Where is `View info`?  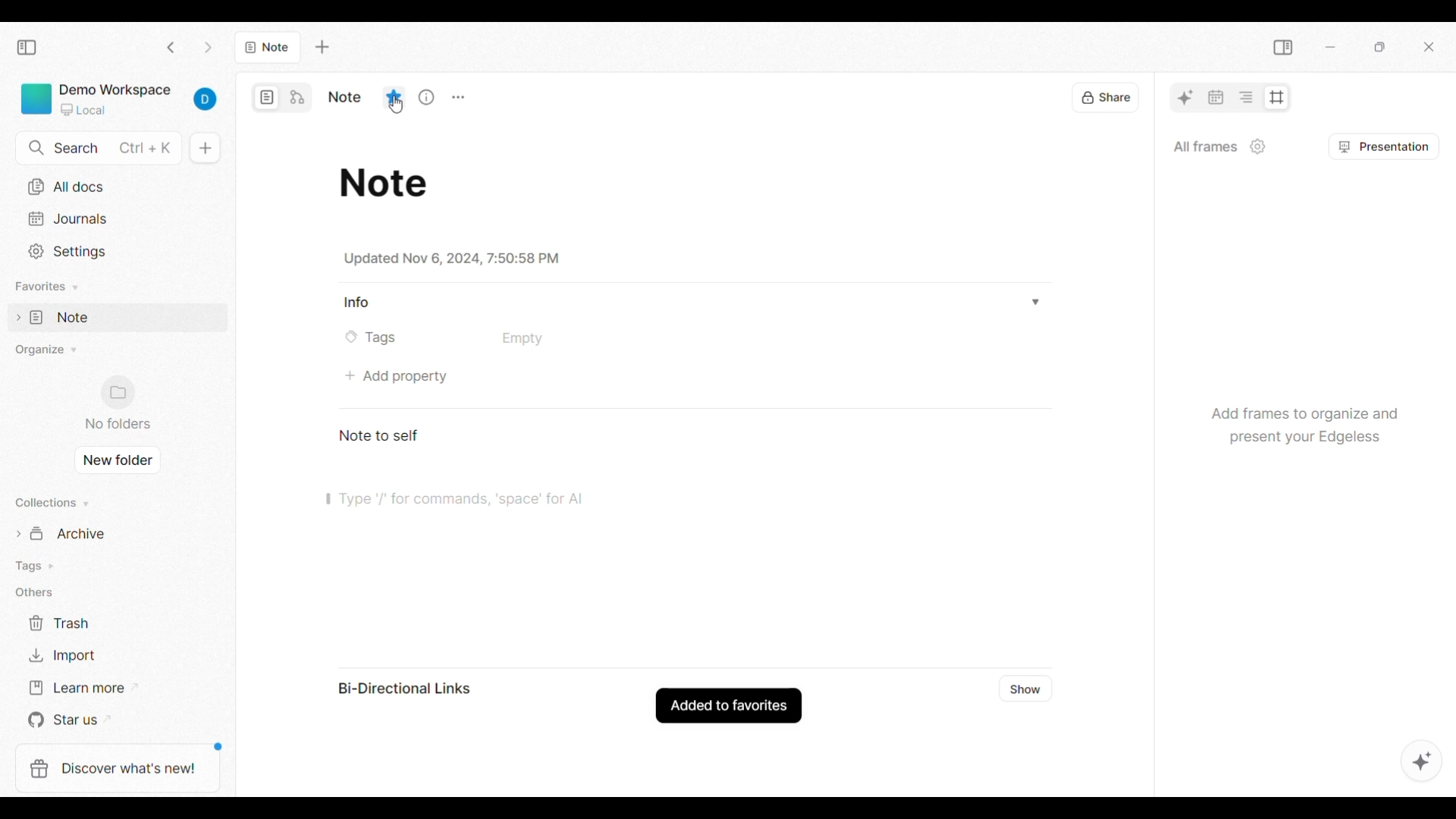
View info is located at coordinates (428, 96).